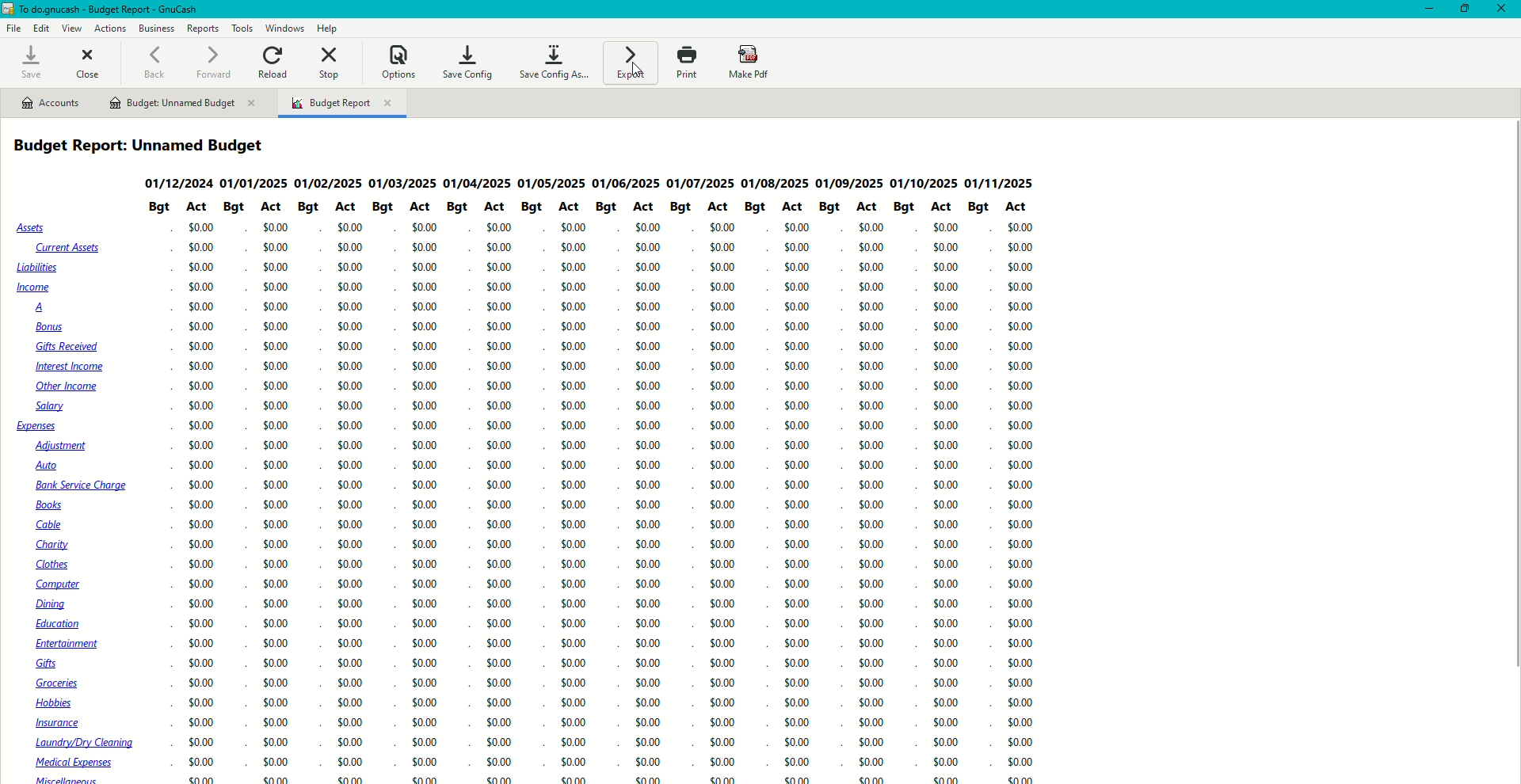 This screenshot has width=1521, height=784. I want to click on Accounts, so click(50, 103).